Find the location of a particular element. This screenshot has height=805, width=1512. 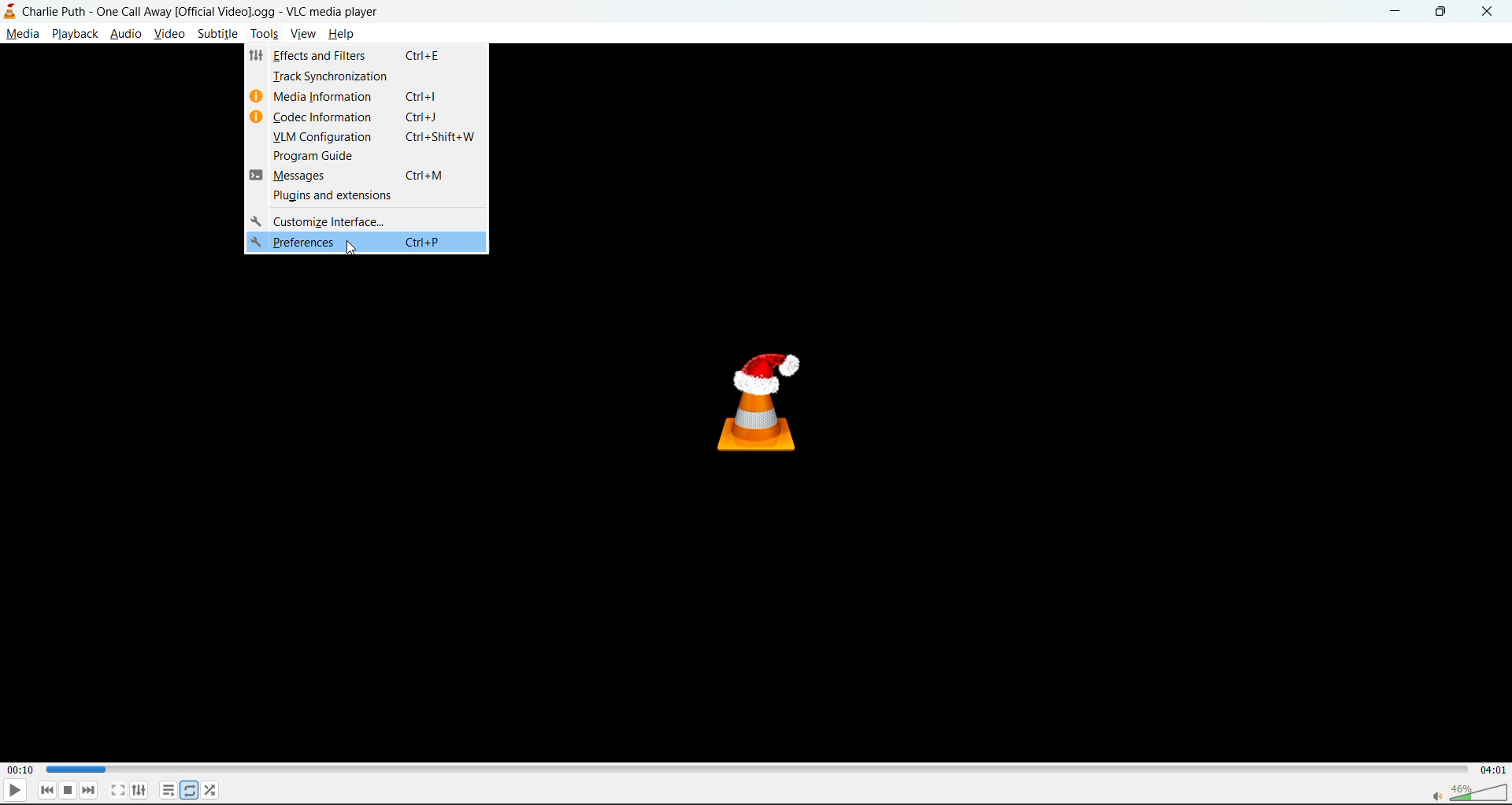

codec information is located at coordinates (372, 117).